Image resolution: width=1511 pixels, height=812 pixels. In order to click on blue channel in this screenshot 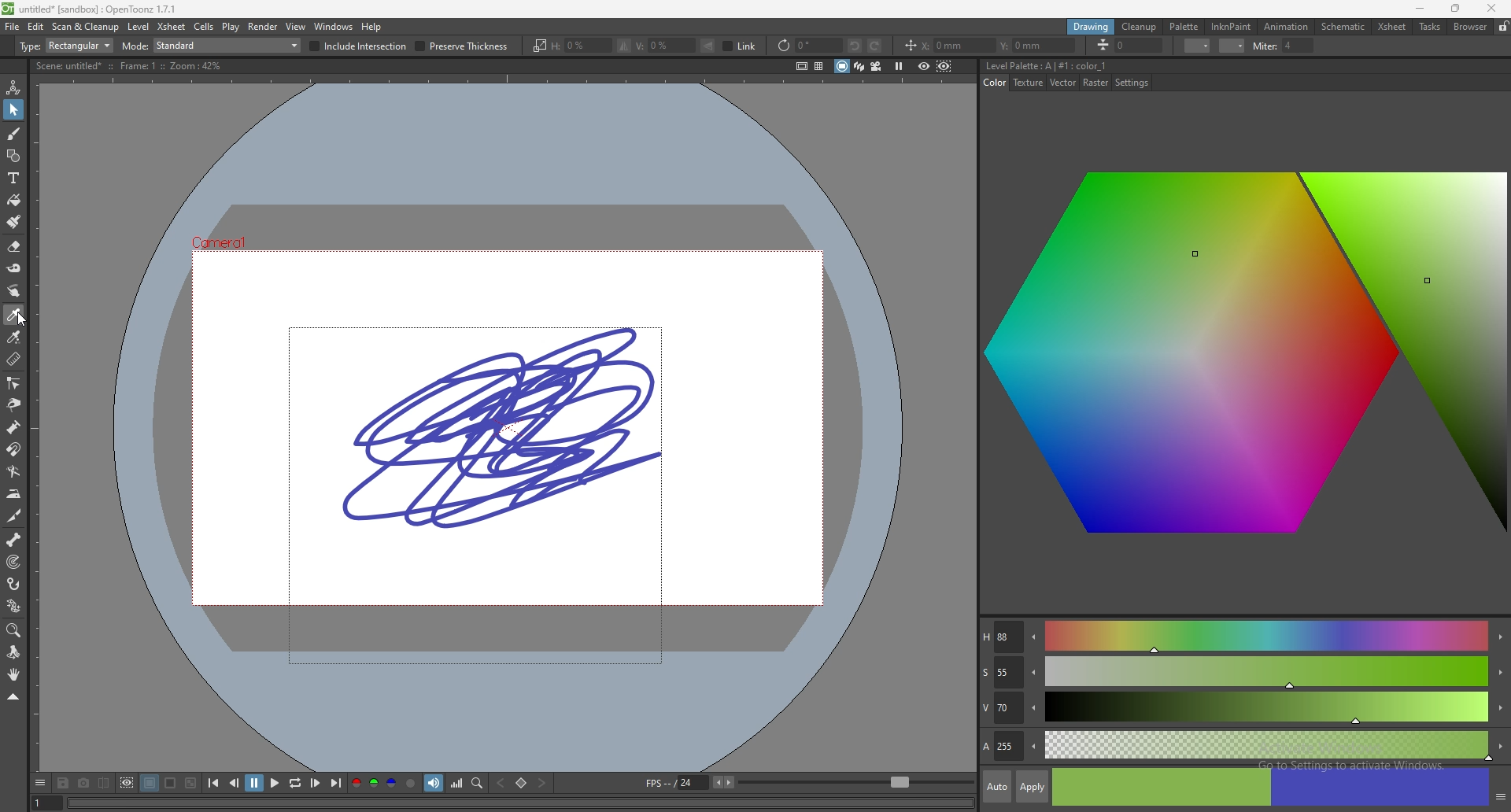, I will do `click(391, 782)`.